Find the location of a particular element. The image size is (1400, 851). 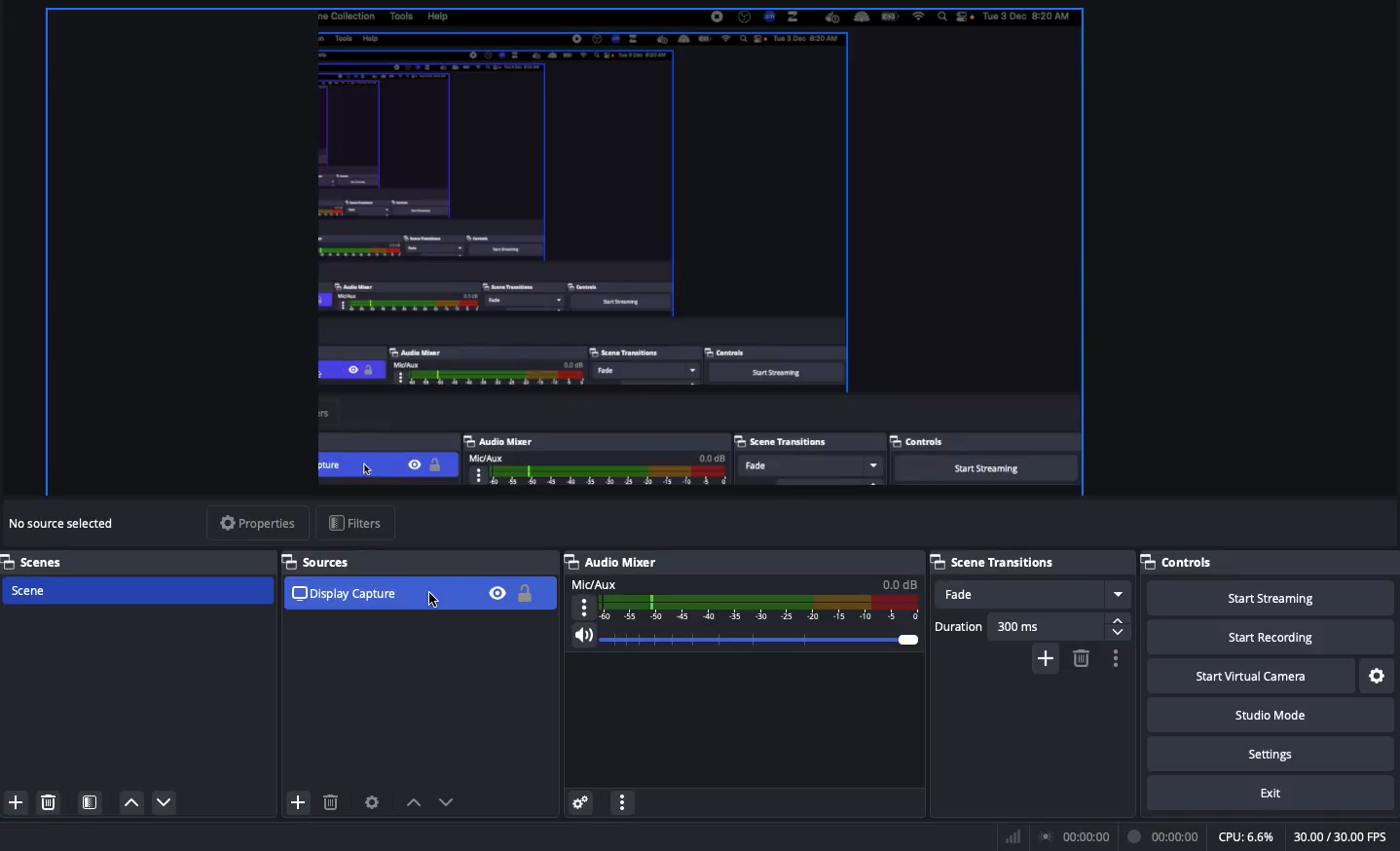

move down is located at coordinates (450, 803).